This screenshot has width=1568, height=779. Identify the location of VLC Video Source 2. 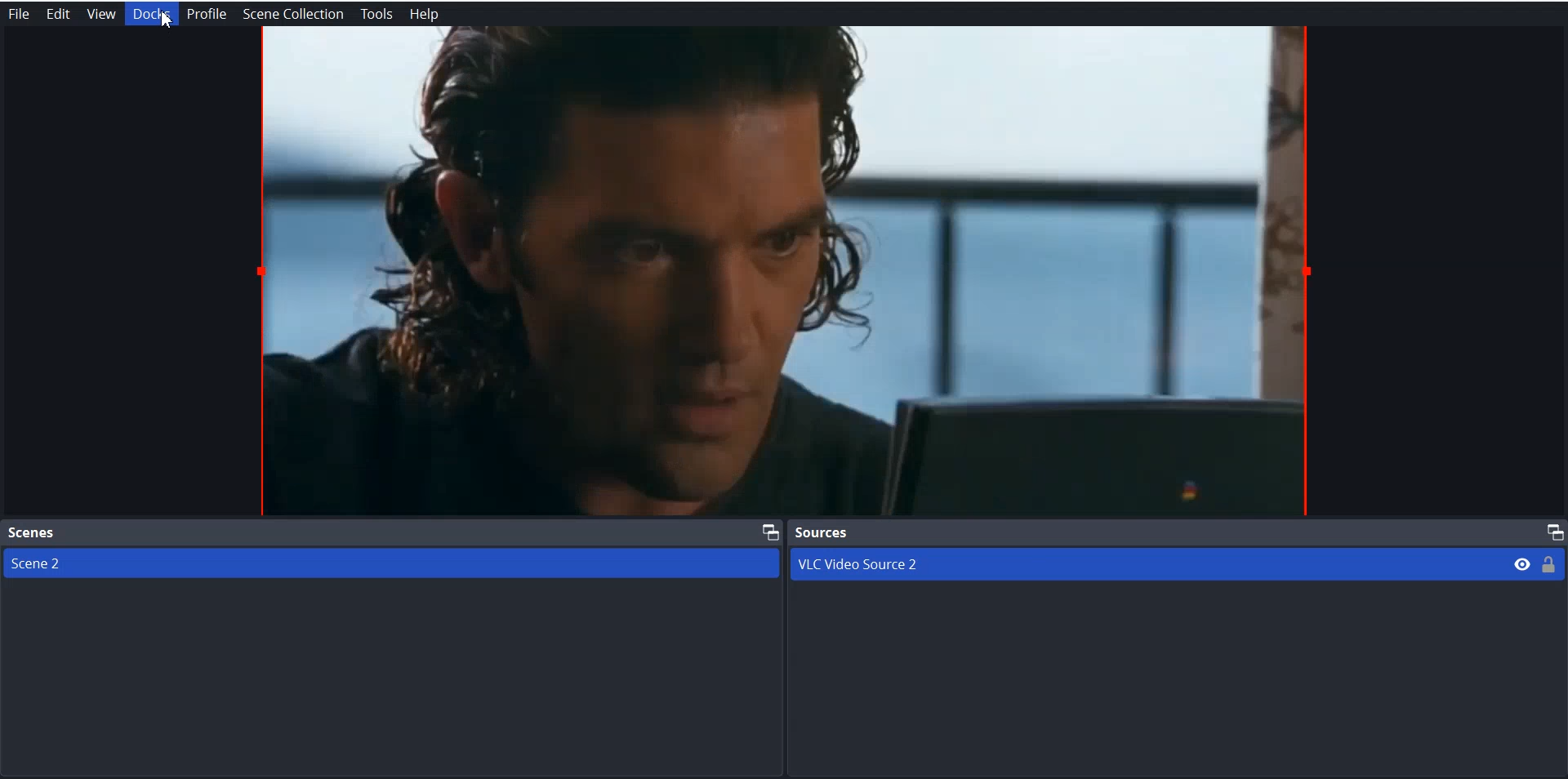
(879, 564).